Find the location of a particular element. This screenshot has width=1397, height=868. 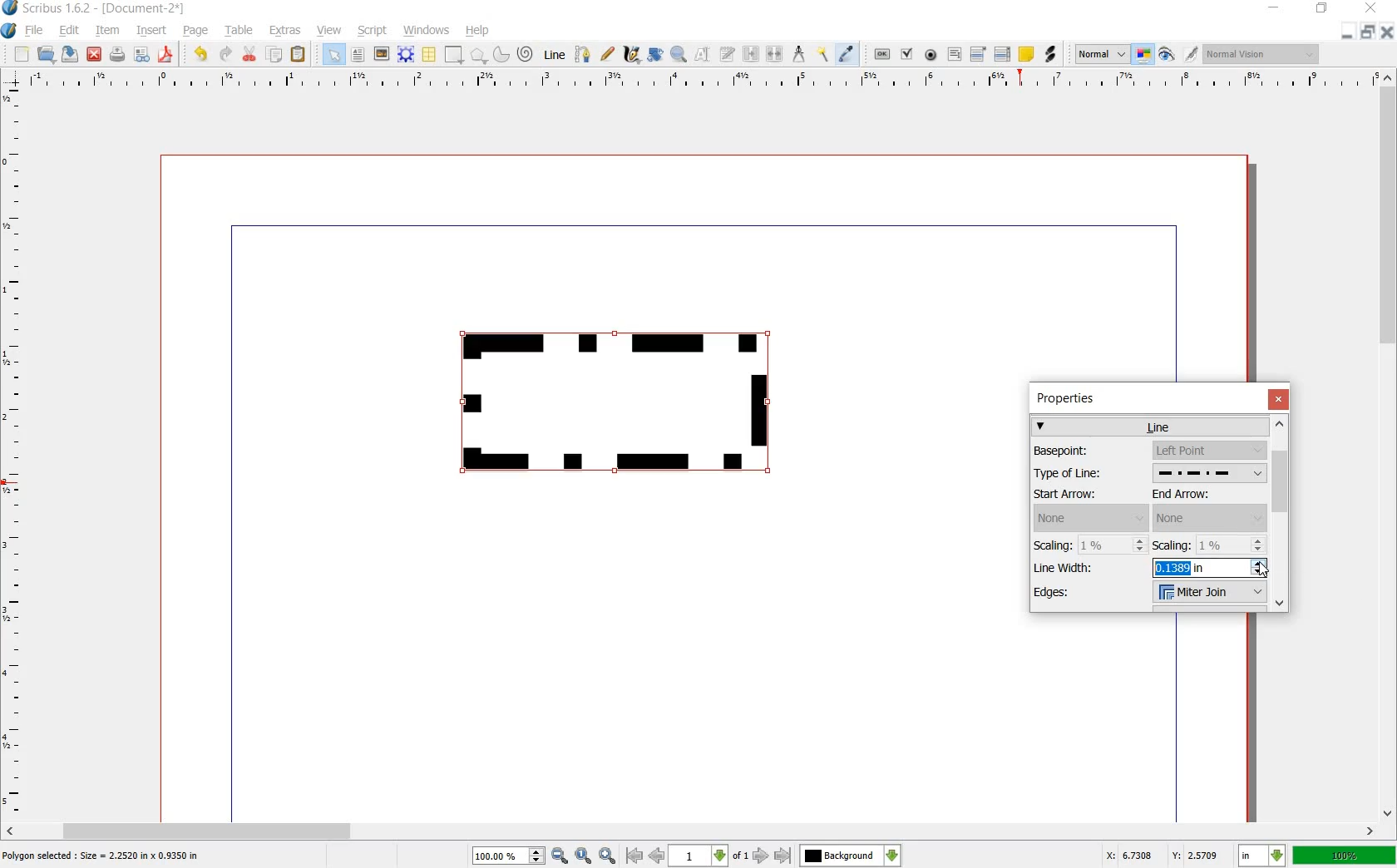

visual appearance of the display is located at coordinates (1260, 54).